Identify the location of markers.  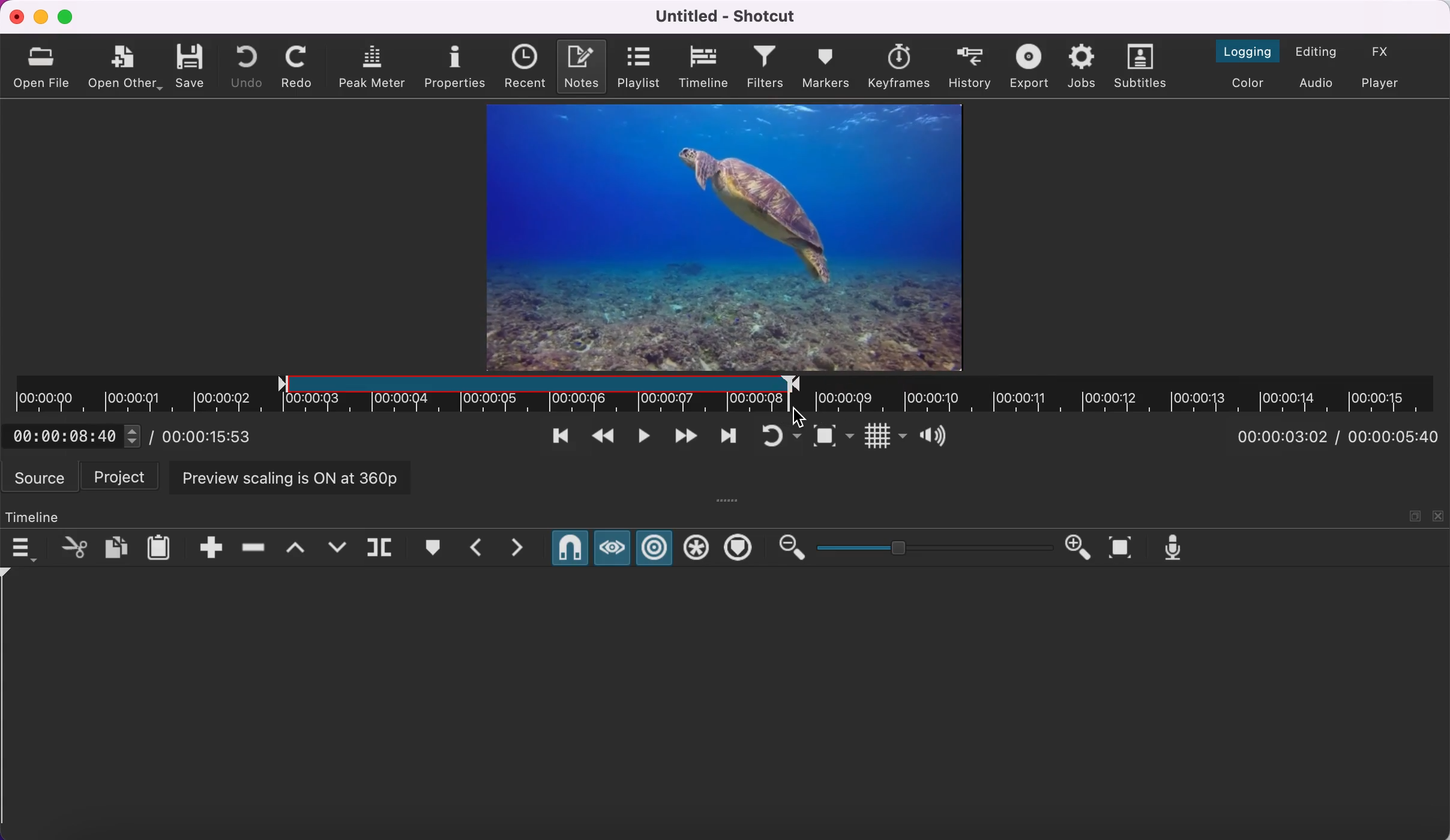
(826, 68).